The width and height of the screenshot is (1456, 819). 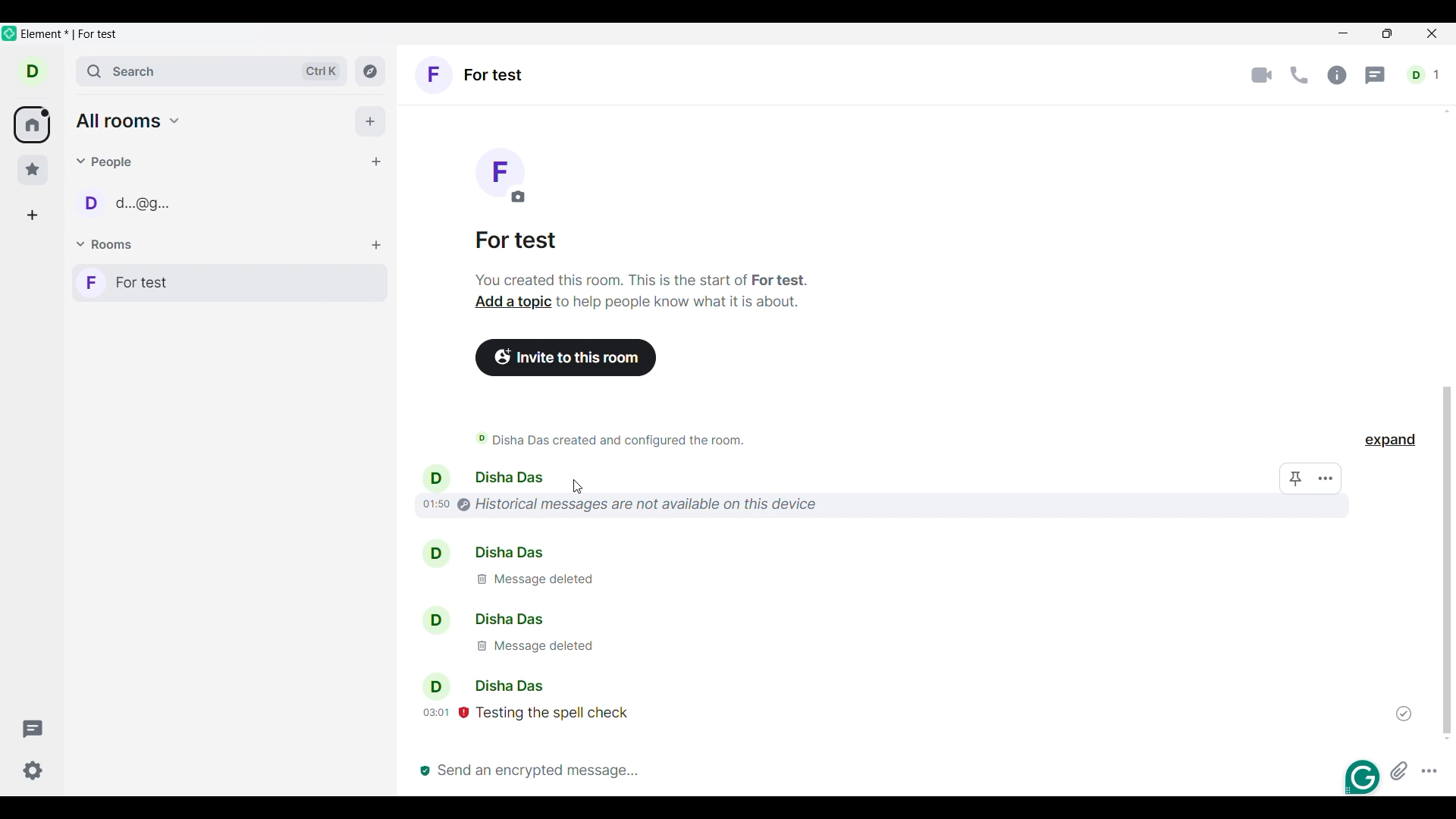 I want to click on f for test, so click(x=471, y=77).